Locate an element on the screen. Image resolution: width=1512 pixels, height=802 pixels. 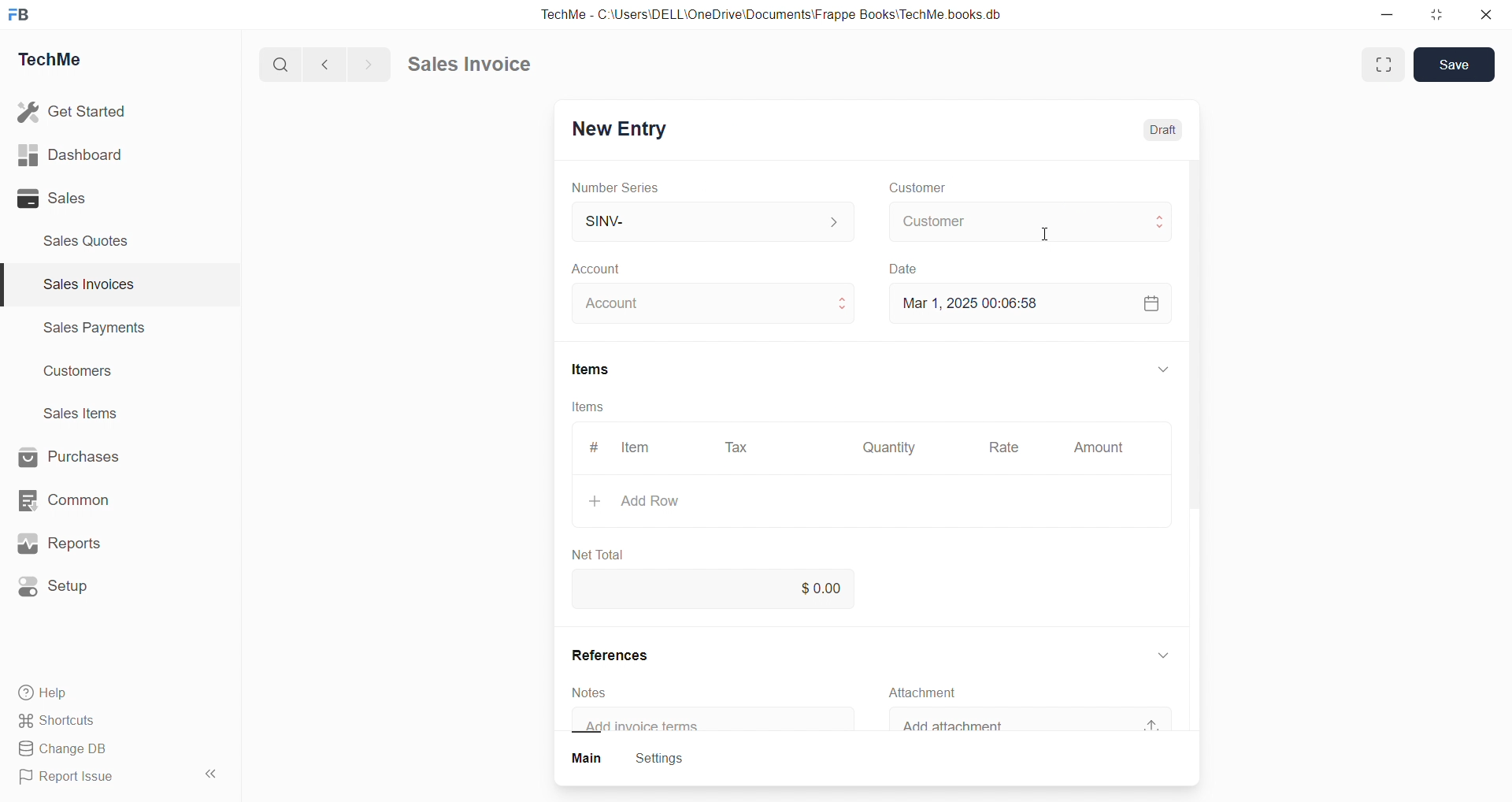
Customer
T is located at coordinates (1025, 221).